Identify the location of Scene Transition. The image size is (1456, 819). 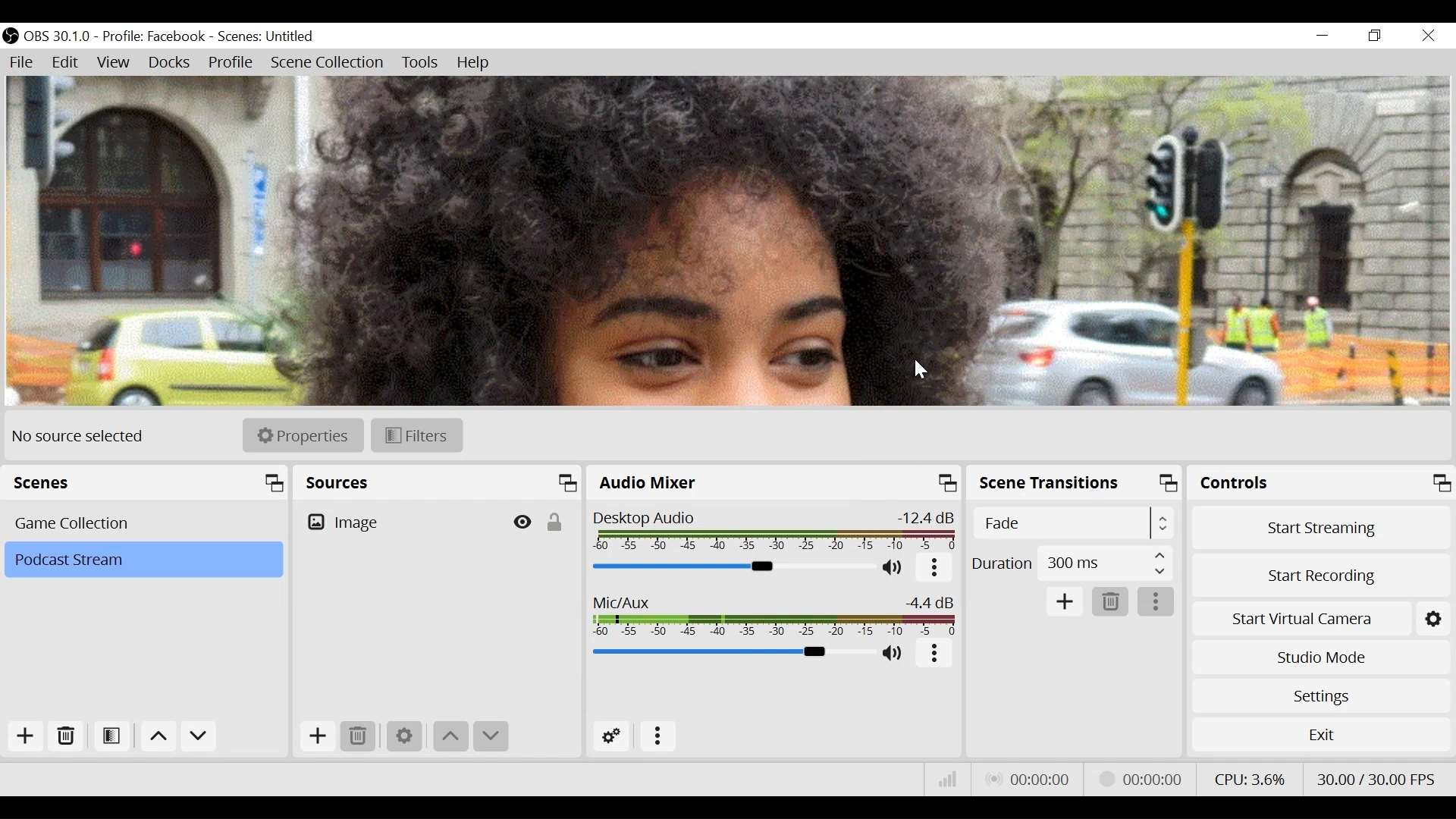
(1076, 482).